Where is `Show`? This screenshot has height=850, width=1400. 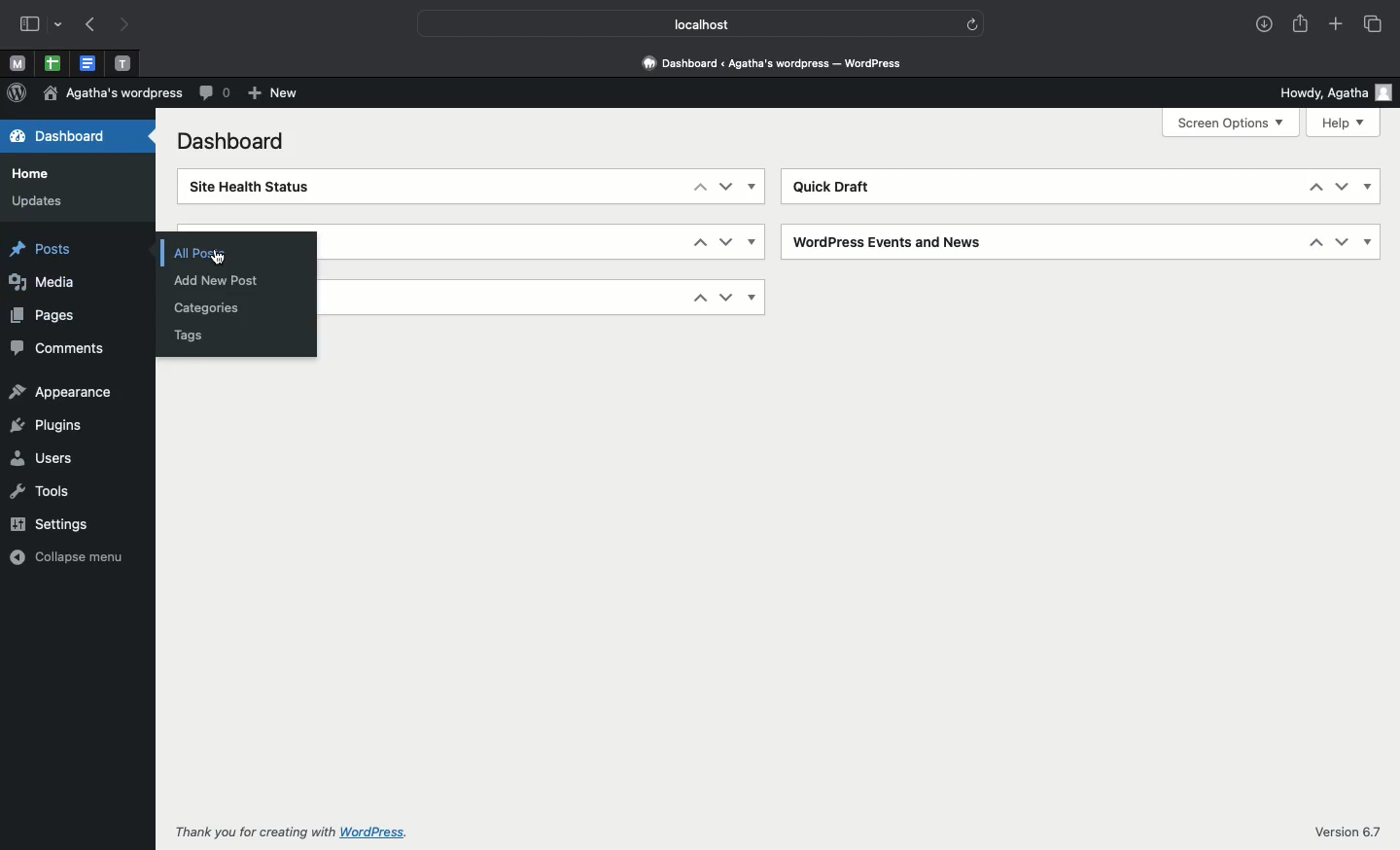 Show is located at coordinates (1369, 241).